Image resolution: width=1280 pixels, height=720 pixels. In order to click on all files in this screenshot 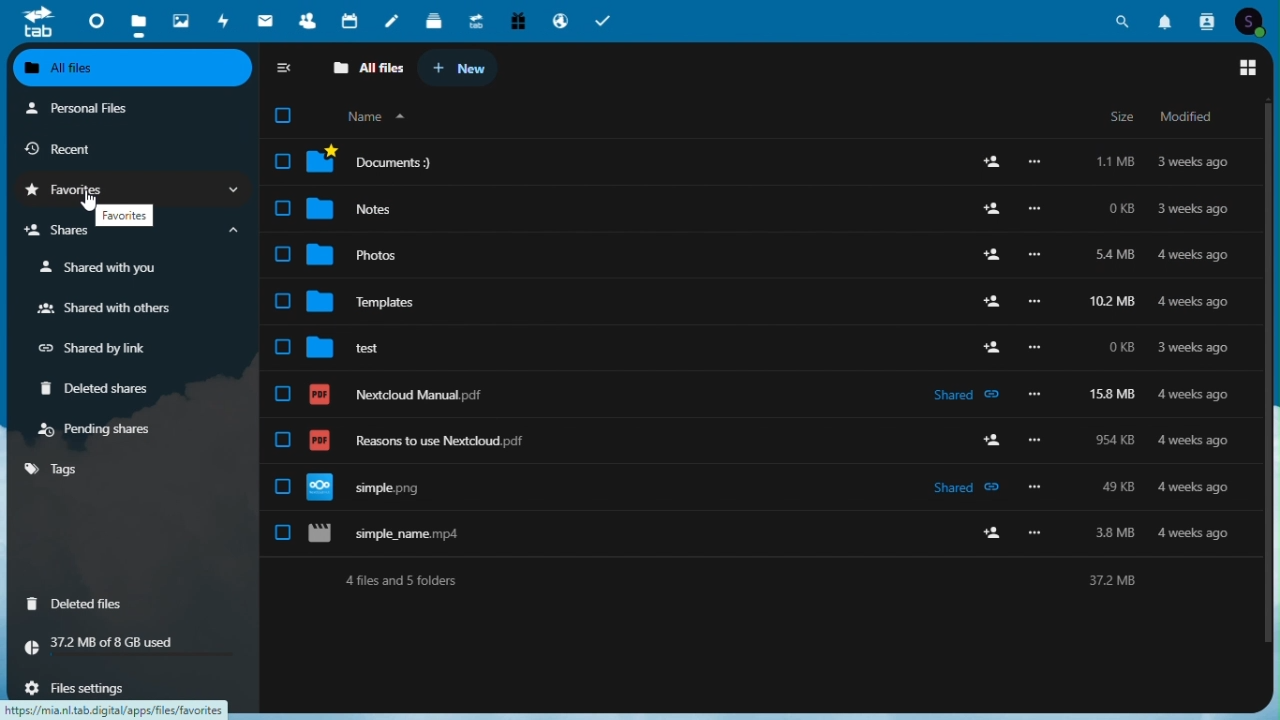, I will do `click(755, 370)`.